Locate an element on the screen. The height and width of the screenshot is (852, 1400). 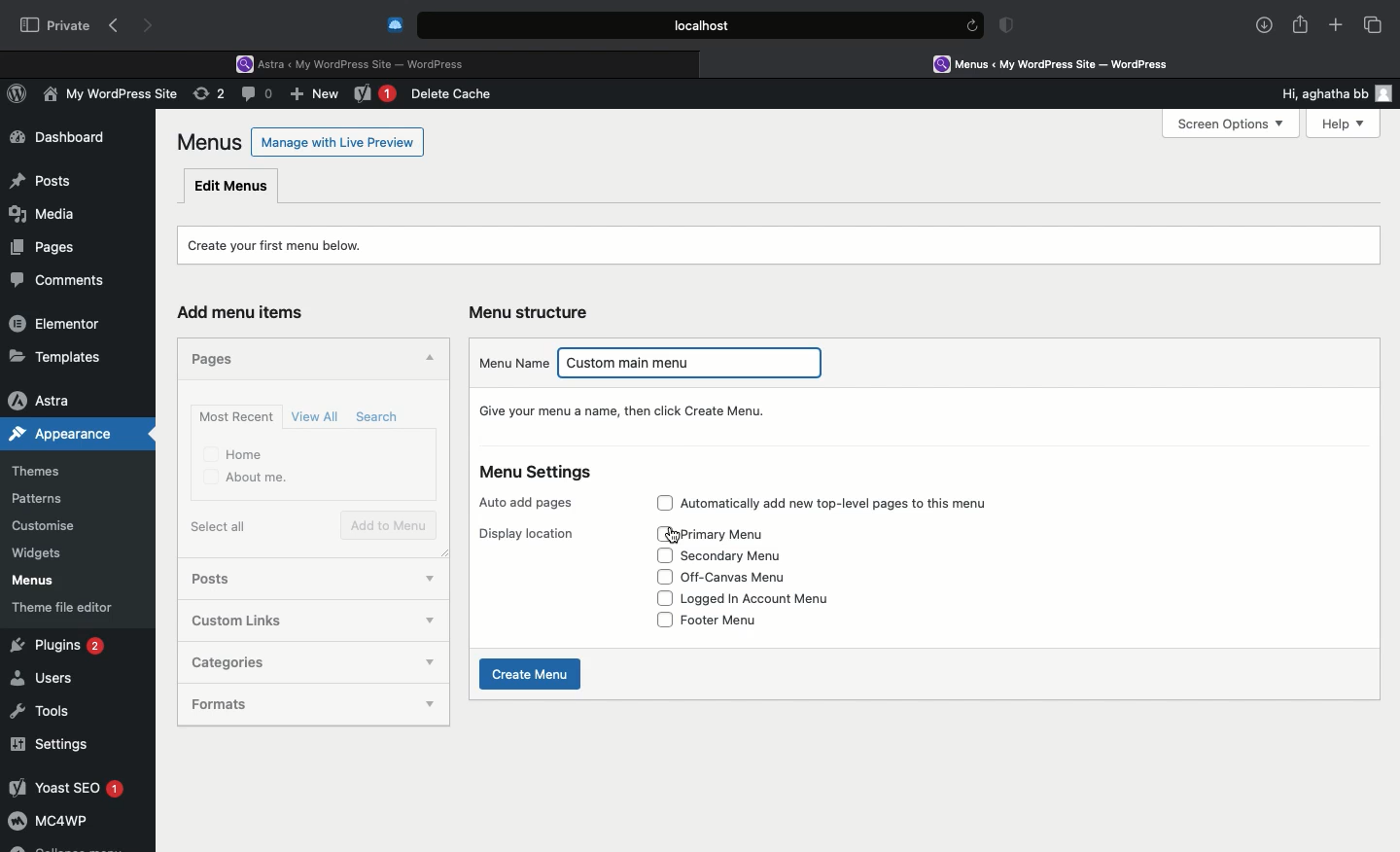
Pages is located at coordinates (218, 357).